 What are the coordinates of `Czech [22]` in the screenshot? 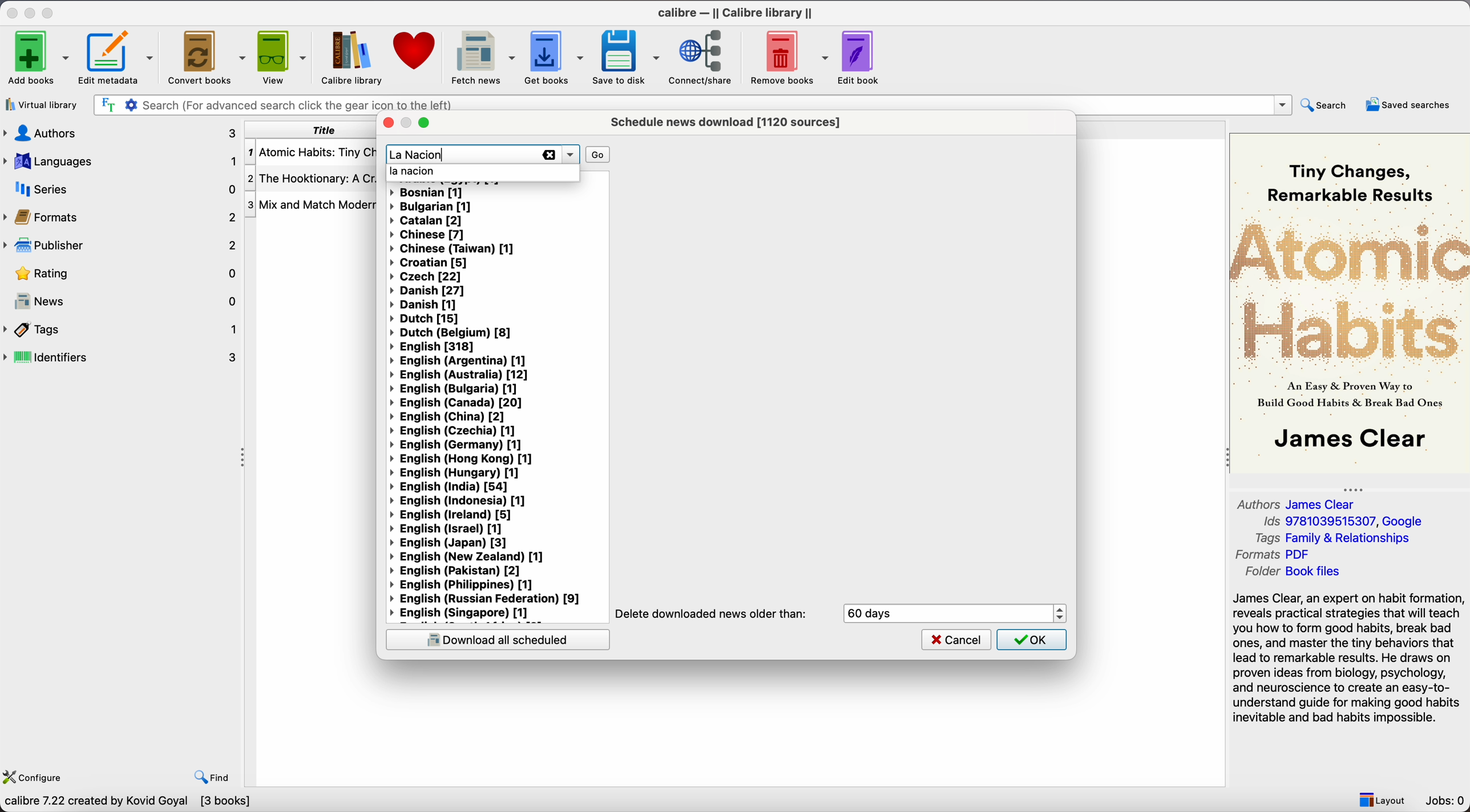 It's located at (425, 276).